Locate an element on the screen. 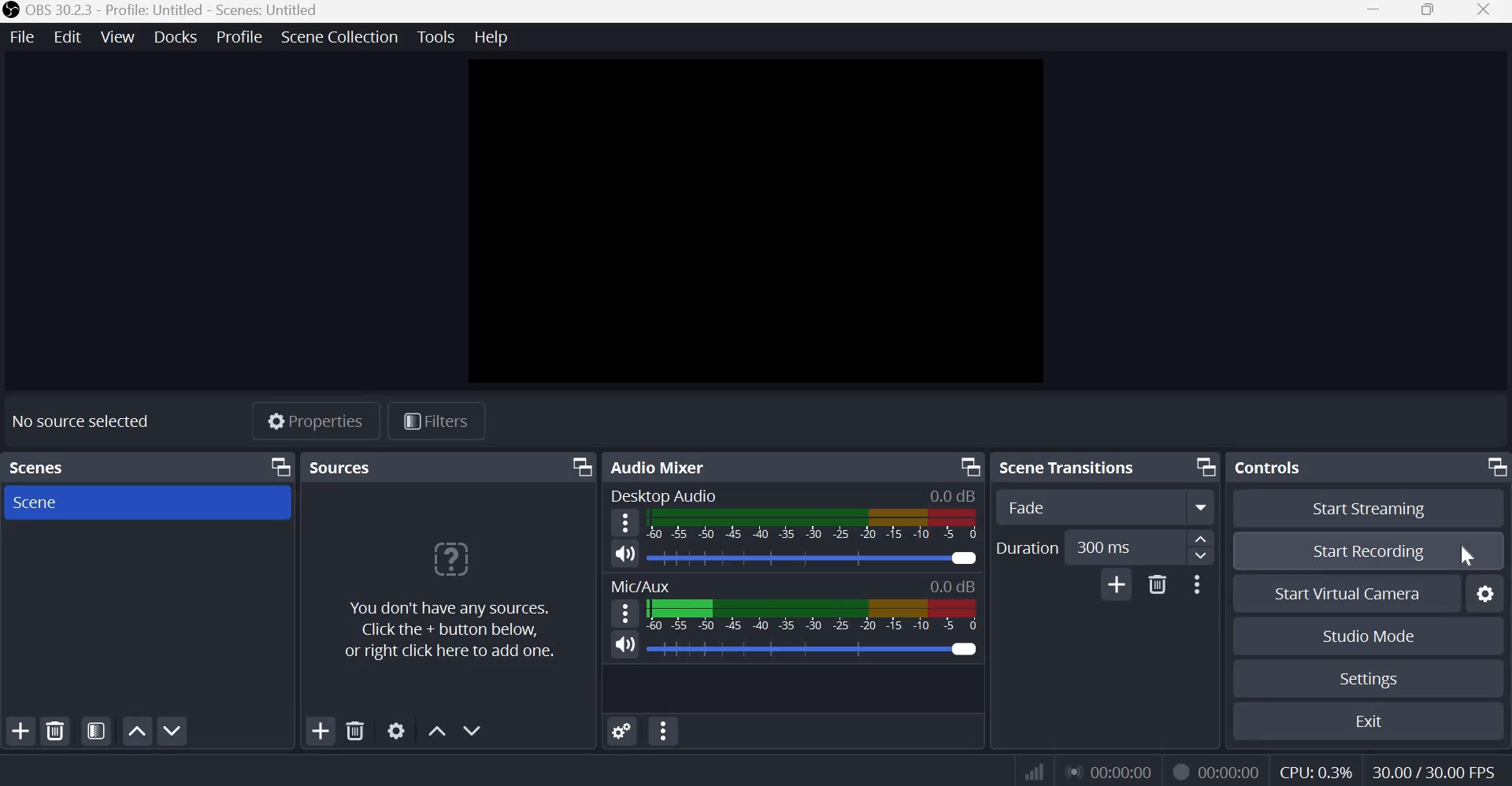 The height and width of the screenshot is (786, 1512). Move scene up is located at coordinates (137, 731).